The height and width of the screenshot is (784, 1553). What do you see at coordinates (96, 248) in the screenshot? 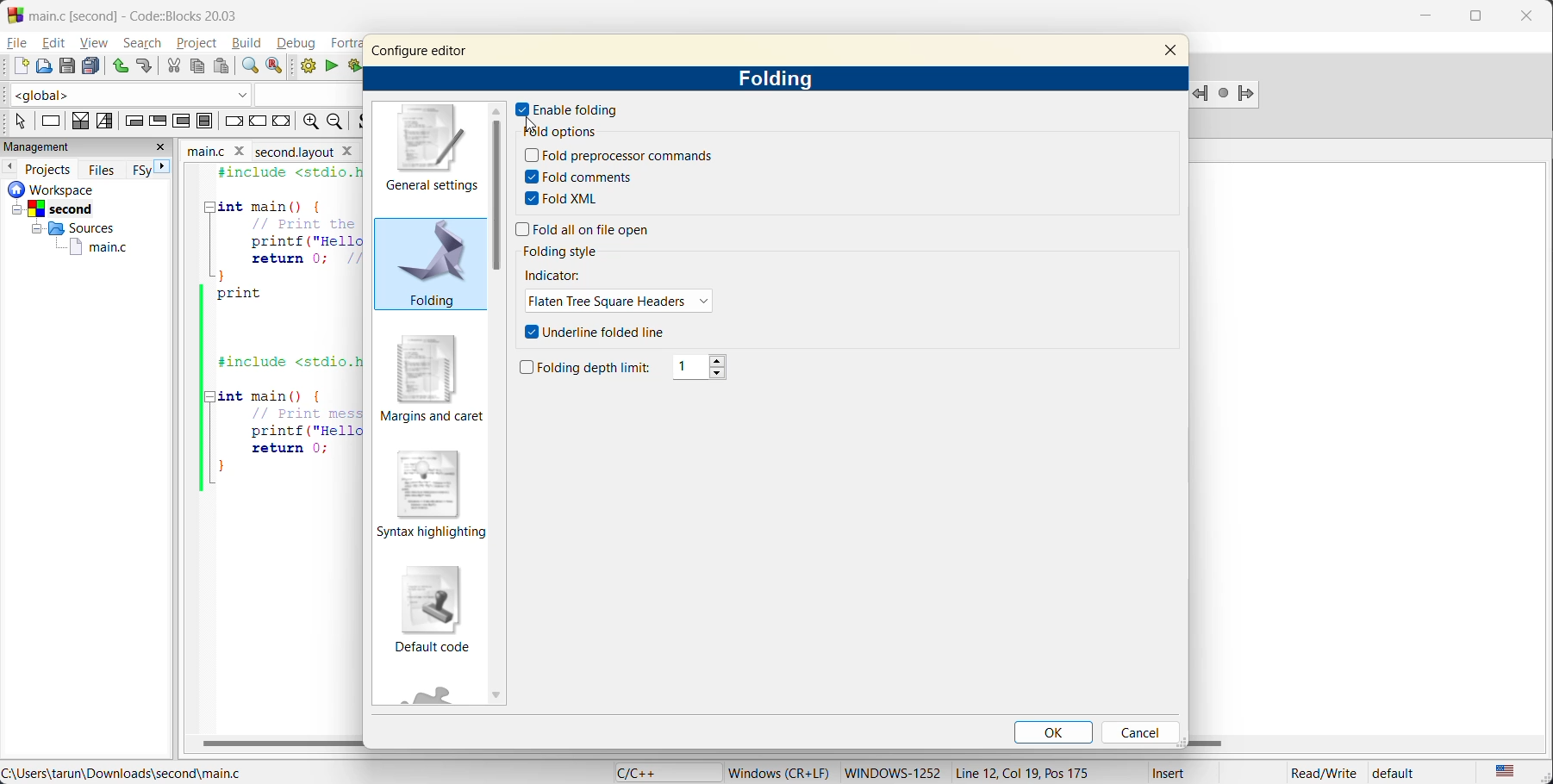
I see `main.c` at bounding box center [96, 248].